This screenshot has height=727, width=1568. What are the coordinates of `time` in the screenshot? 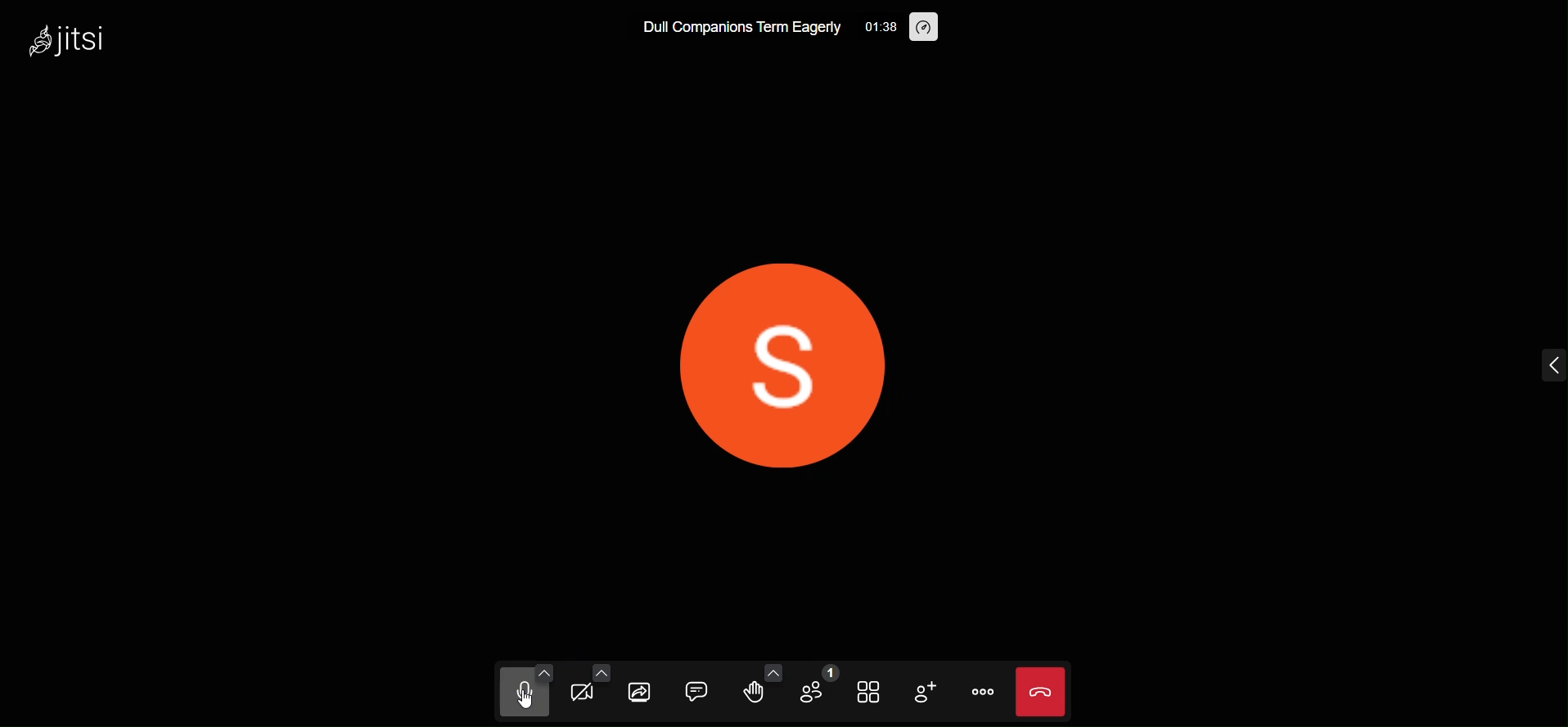 It's located at (880, 27).